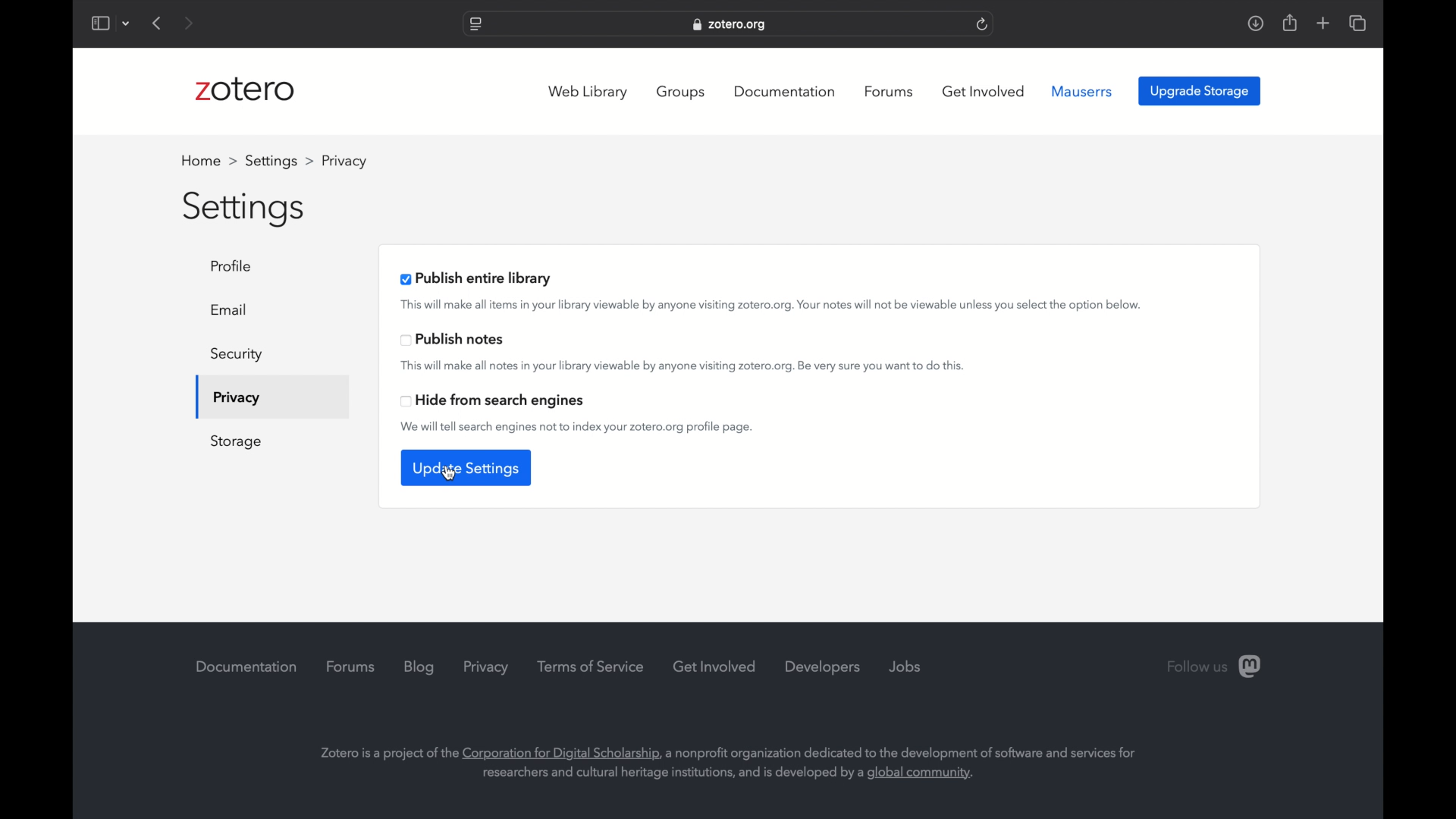  I want to click on jobs, so click(905, 667).